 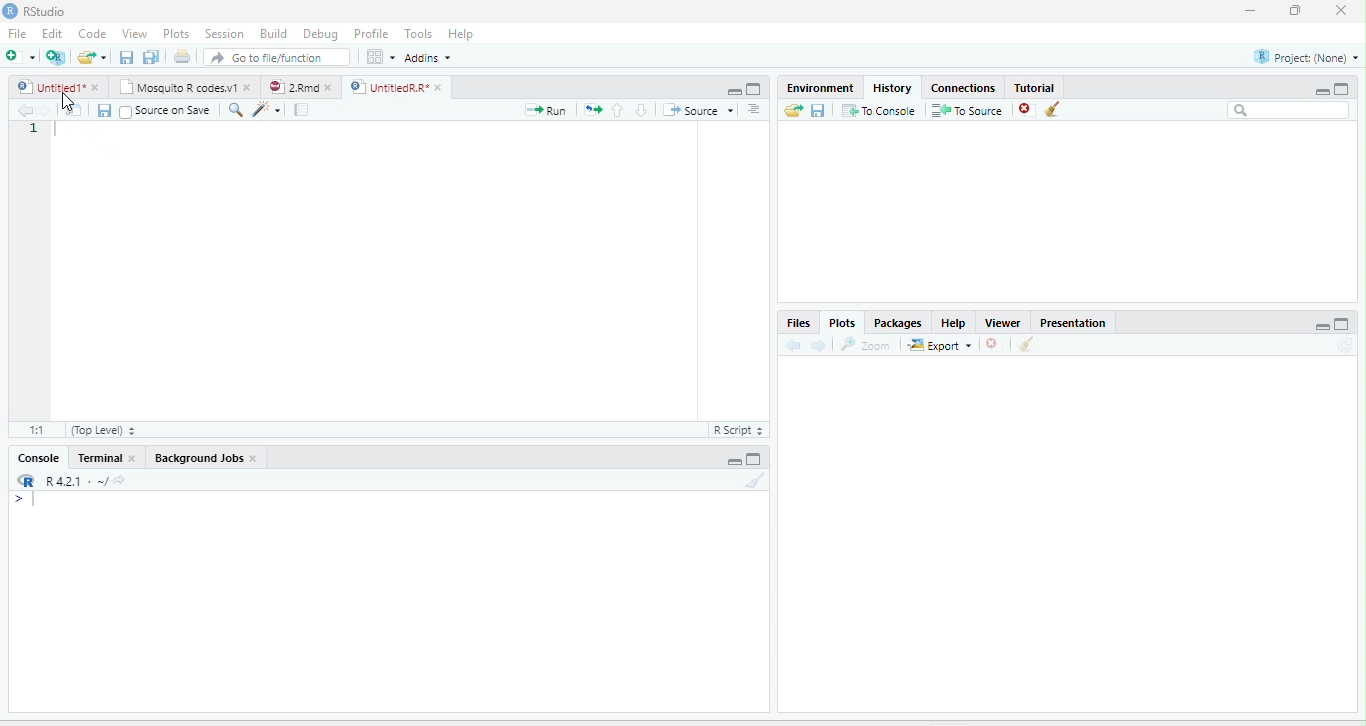 What do you see at coordinates (1073, 321) in the screenshot?
I see `Presentation` at bounding box center [1073, 321].